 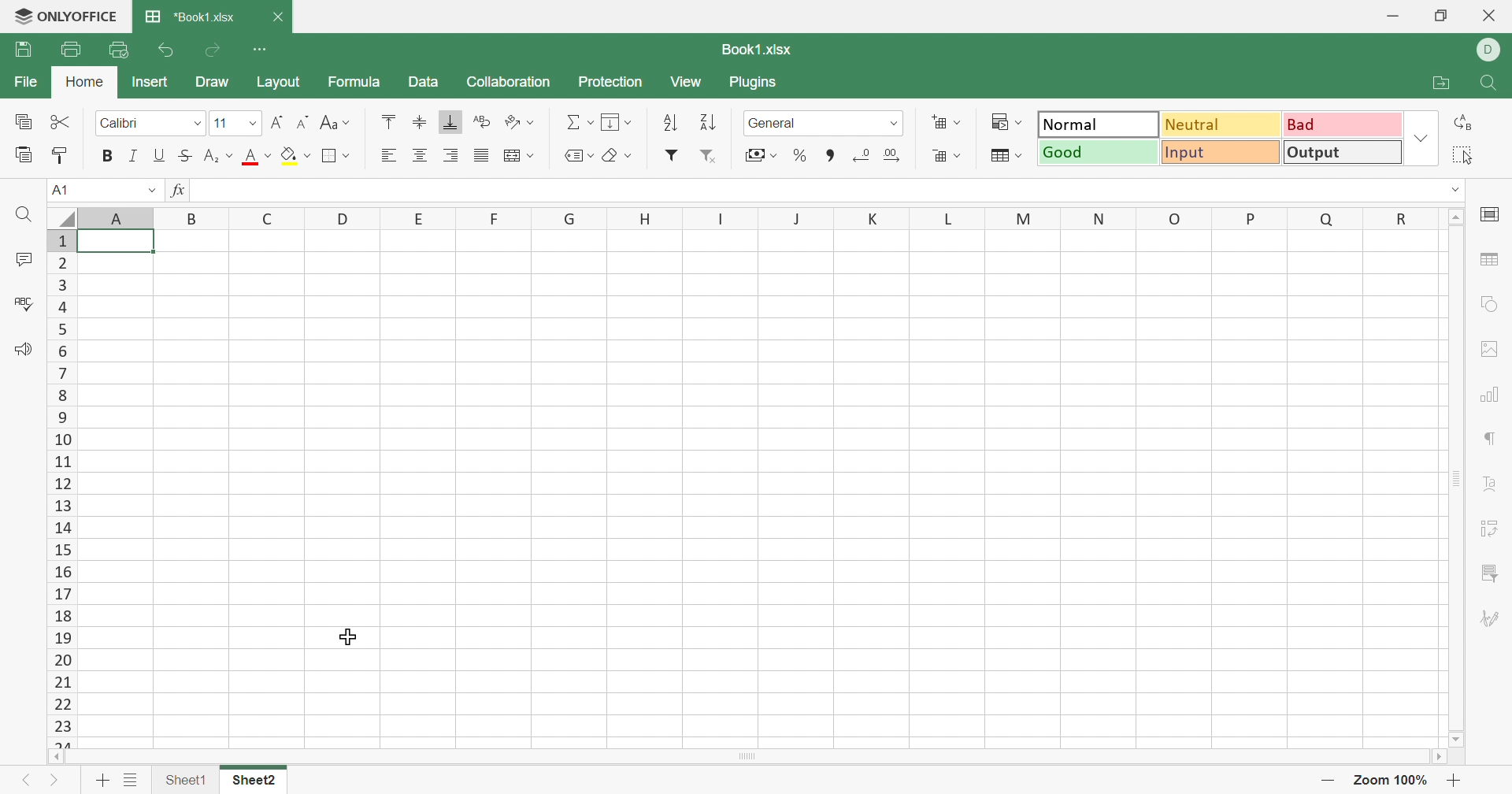 I want to click on Neutral, so click(x=1221, y=124).